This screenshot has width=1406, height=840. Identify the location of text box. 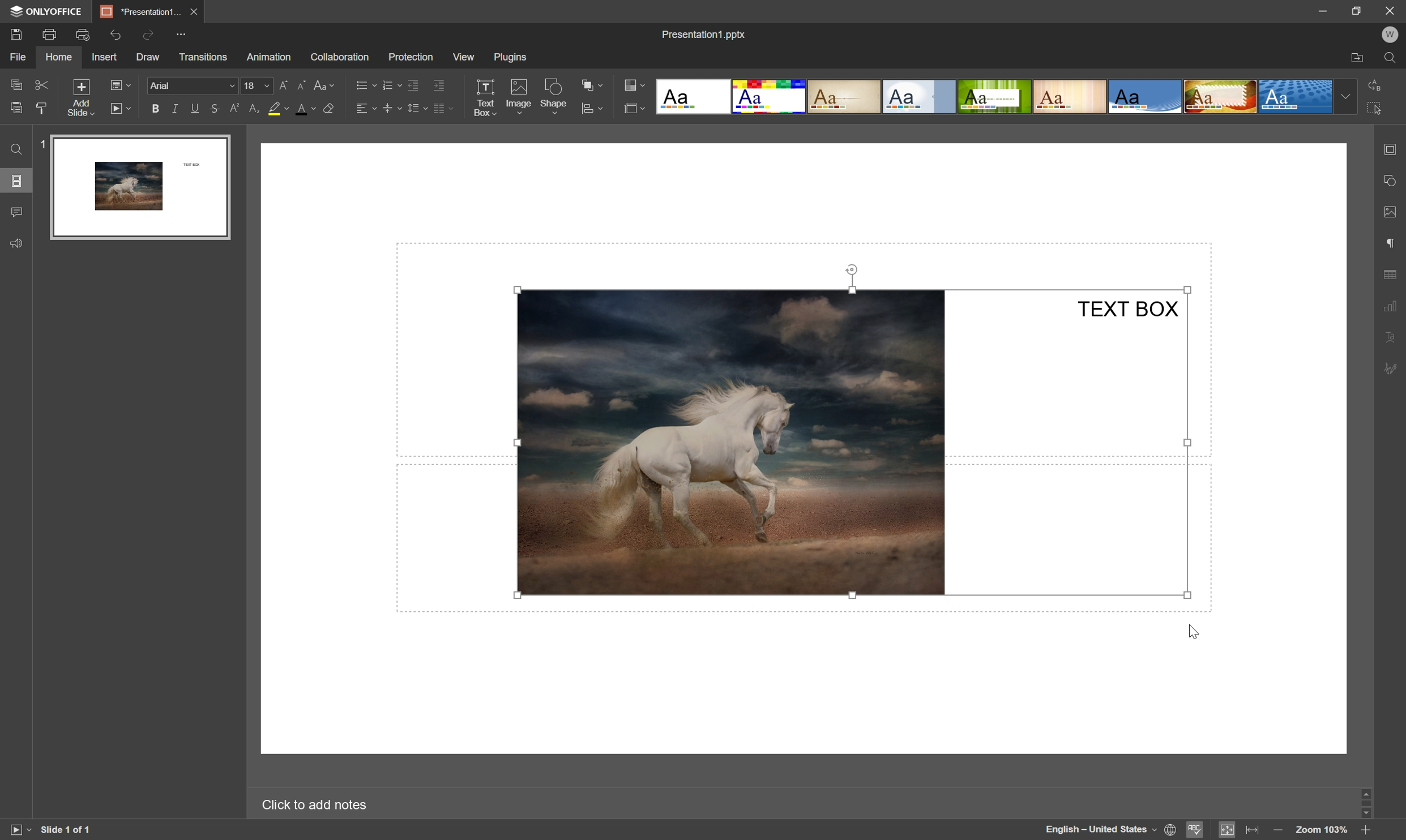
(485, 98).